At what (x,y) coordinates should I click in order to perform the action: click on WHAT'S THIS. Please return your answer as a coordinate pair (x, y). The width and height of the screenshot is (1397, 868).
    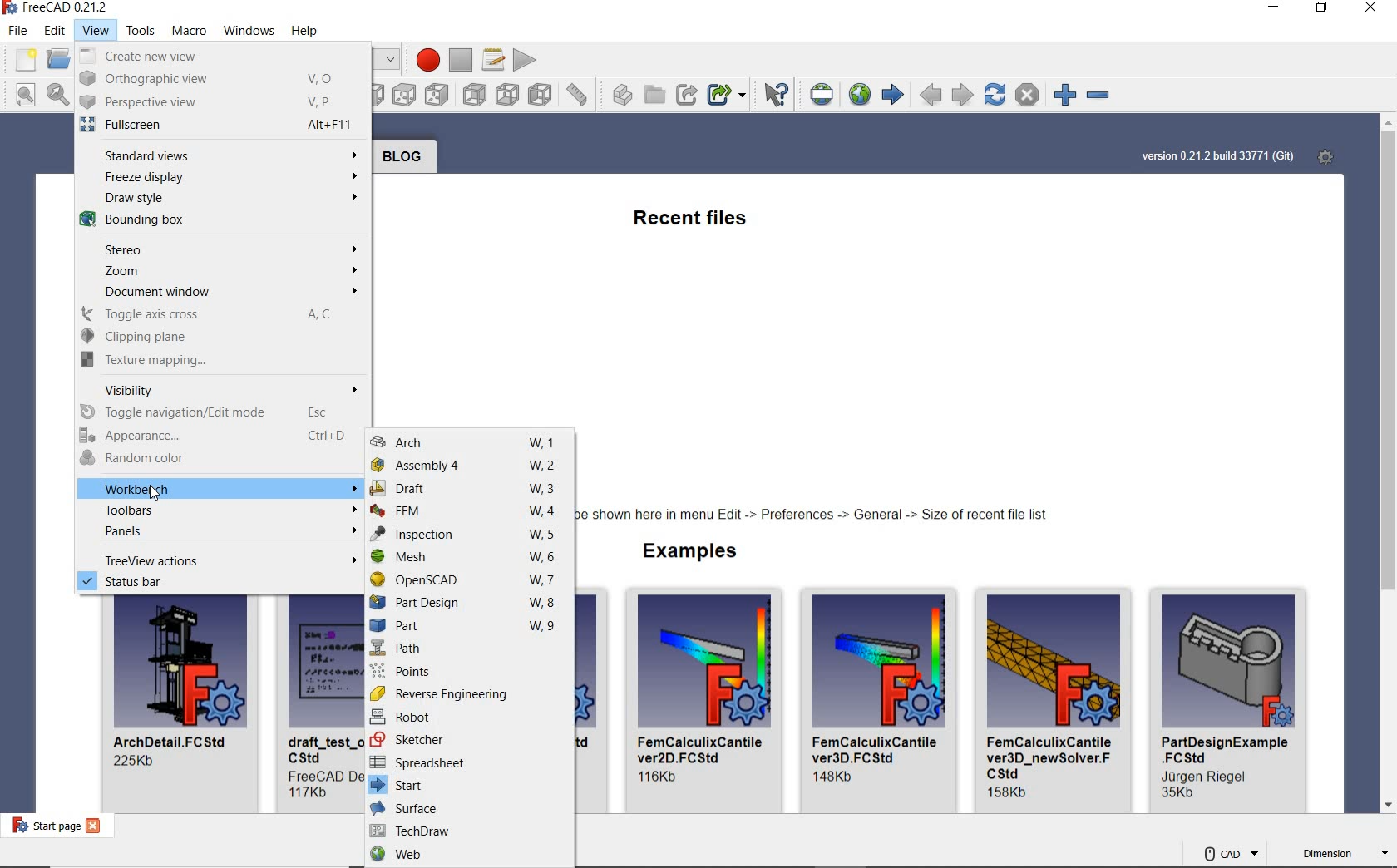
    Looking at the image, I should click on (773, 95).